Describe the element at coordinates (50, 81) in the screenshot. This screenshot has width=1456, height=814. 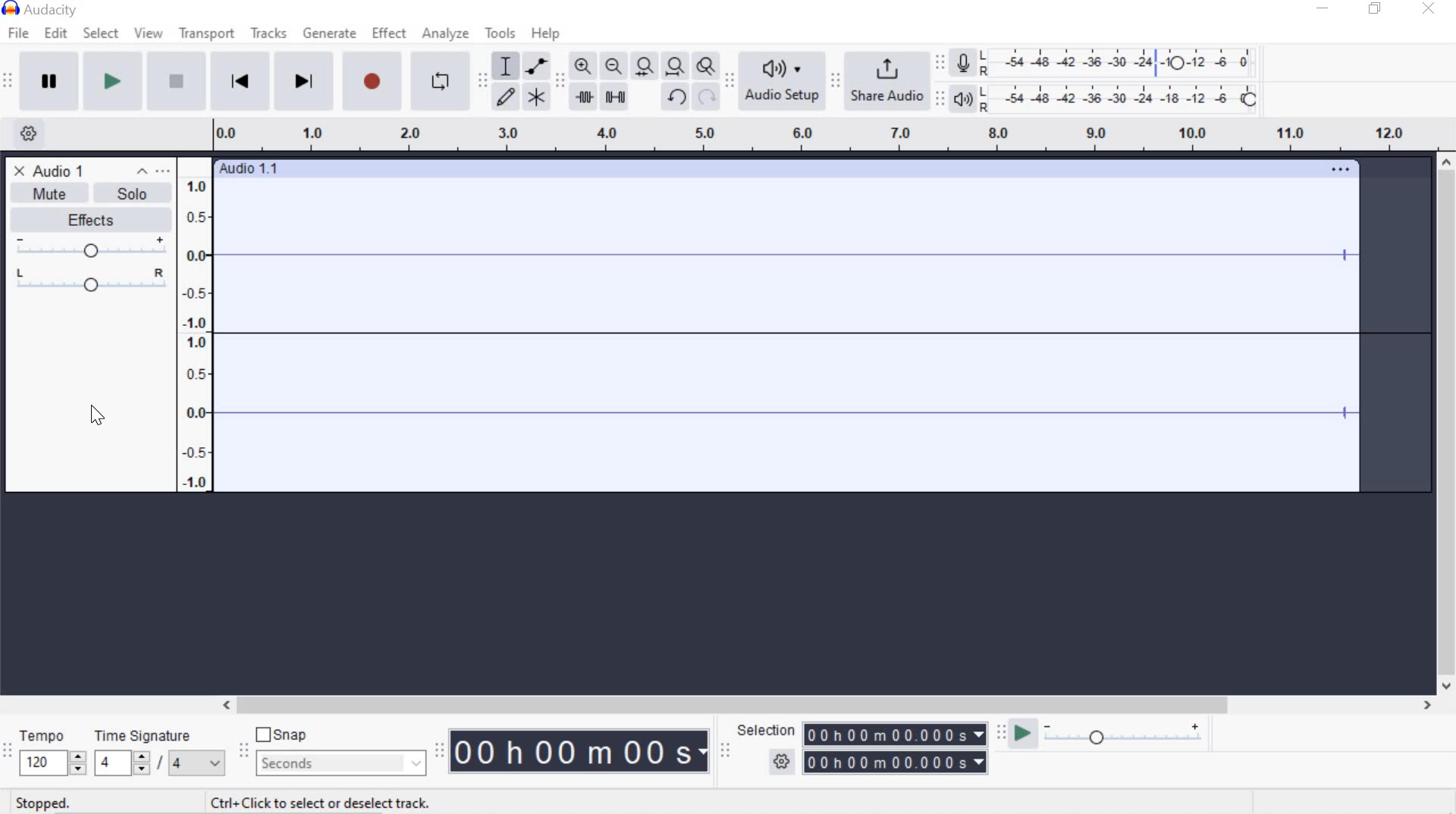
I see `Pause` at that location.